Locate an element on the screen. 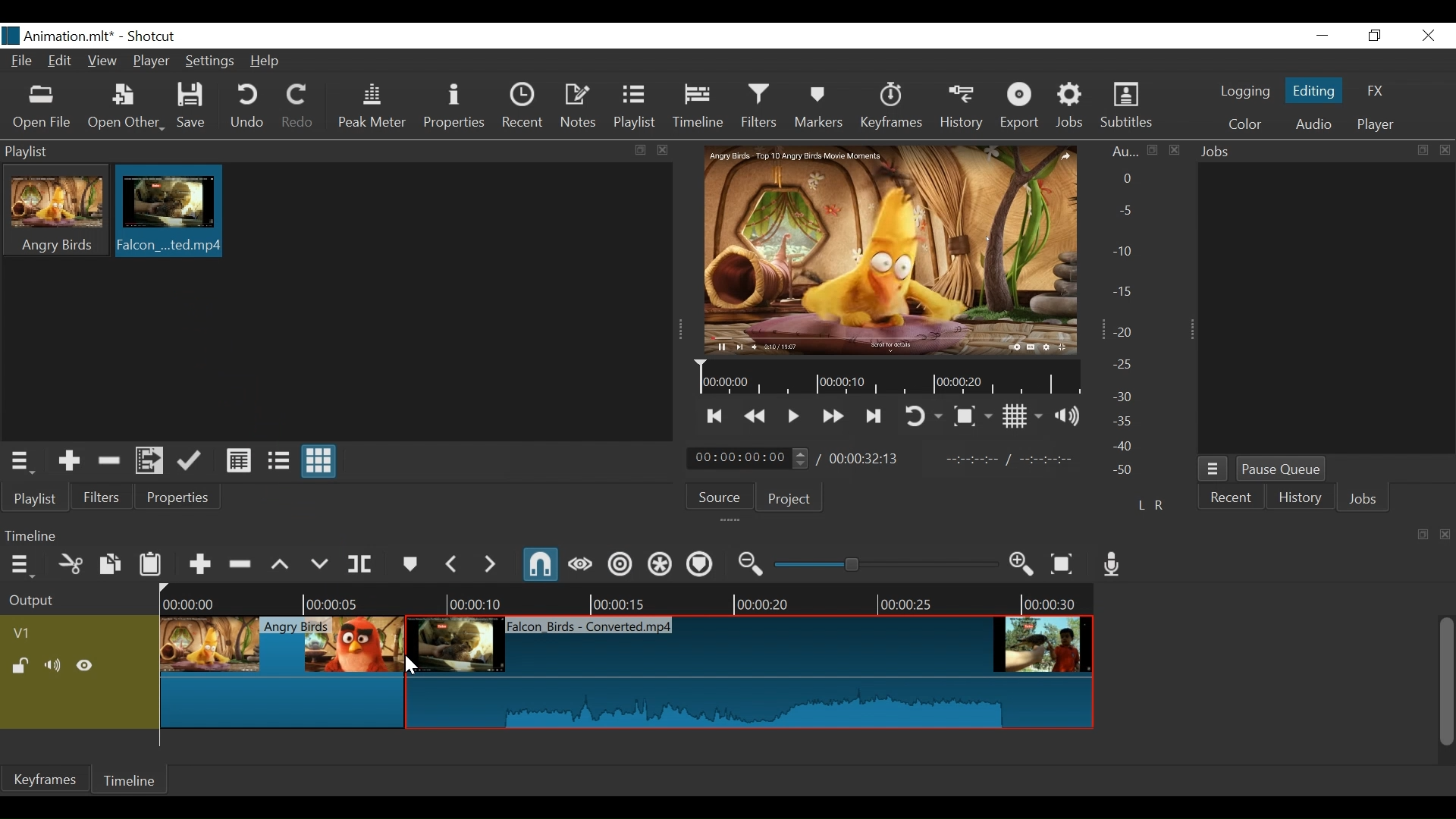  FX is located at coordinates (1376, 91).